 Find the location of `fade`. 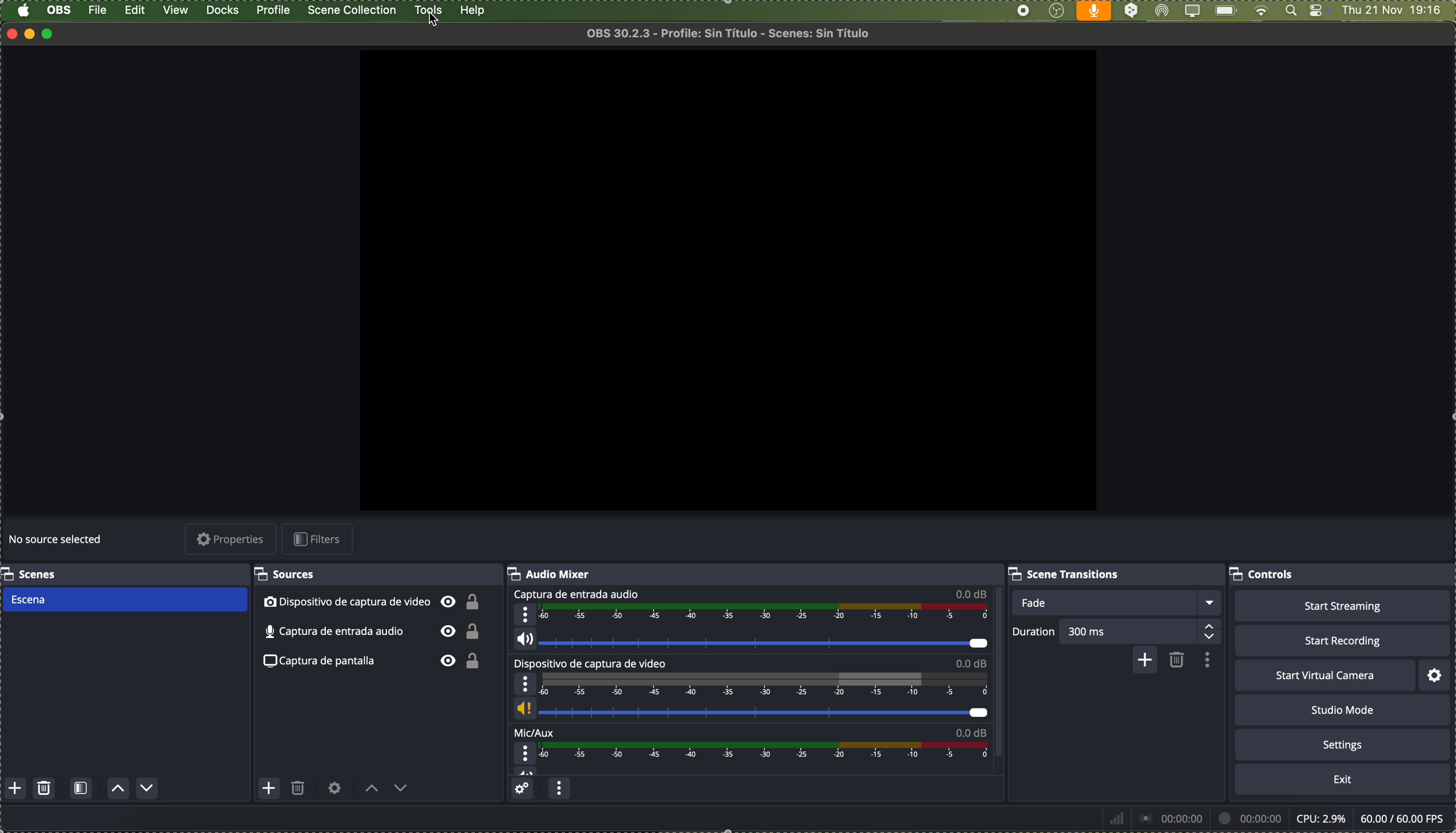

fade is located at coordinates (1117, 603).